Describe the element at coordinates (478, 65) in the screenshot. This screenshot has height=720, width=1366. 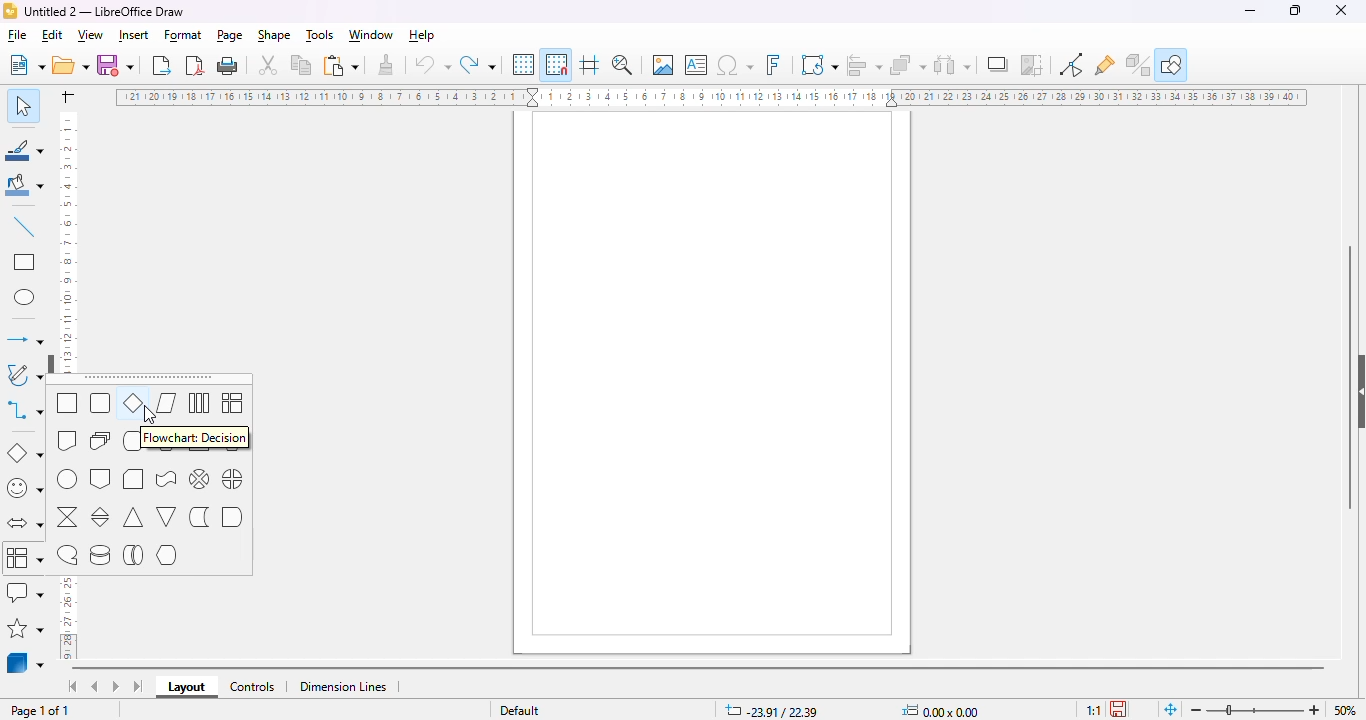
I see `redo` at that location.